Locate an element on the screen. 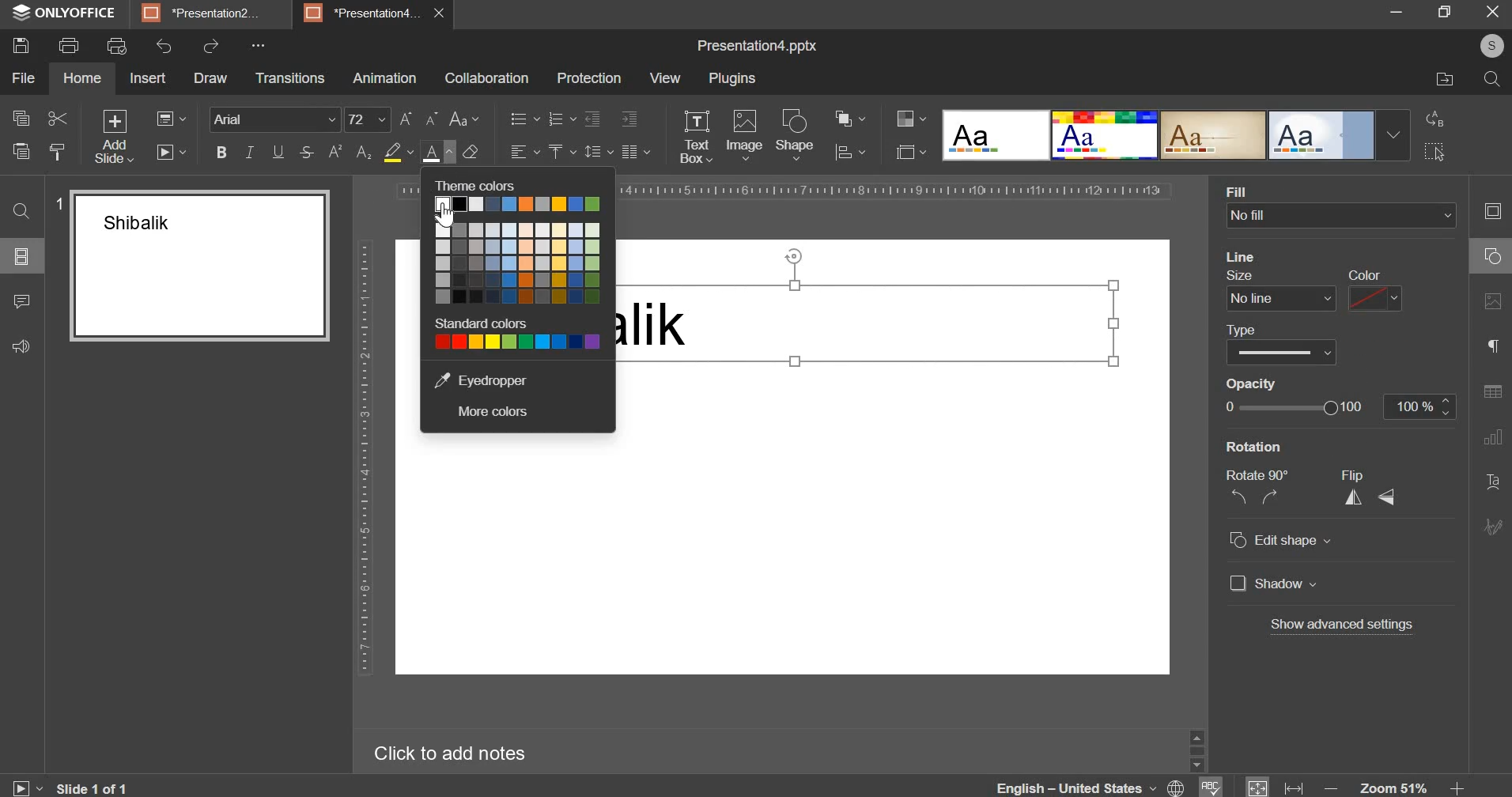 The width and height of the screenshot is (1512, 797). zoom out is located at coordinates (1328, 784).